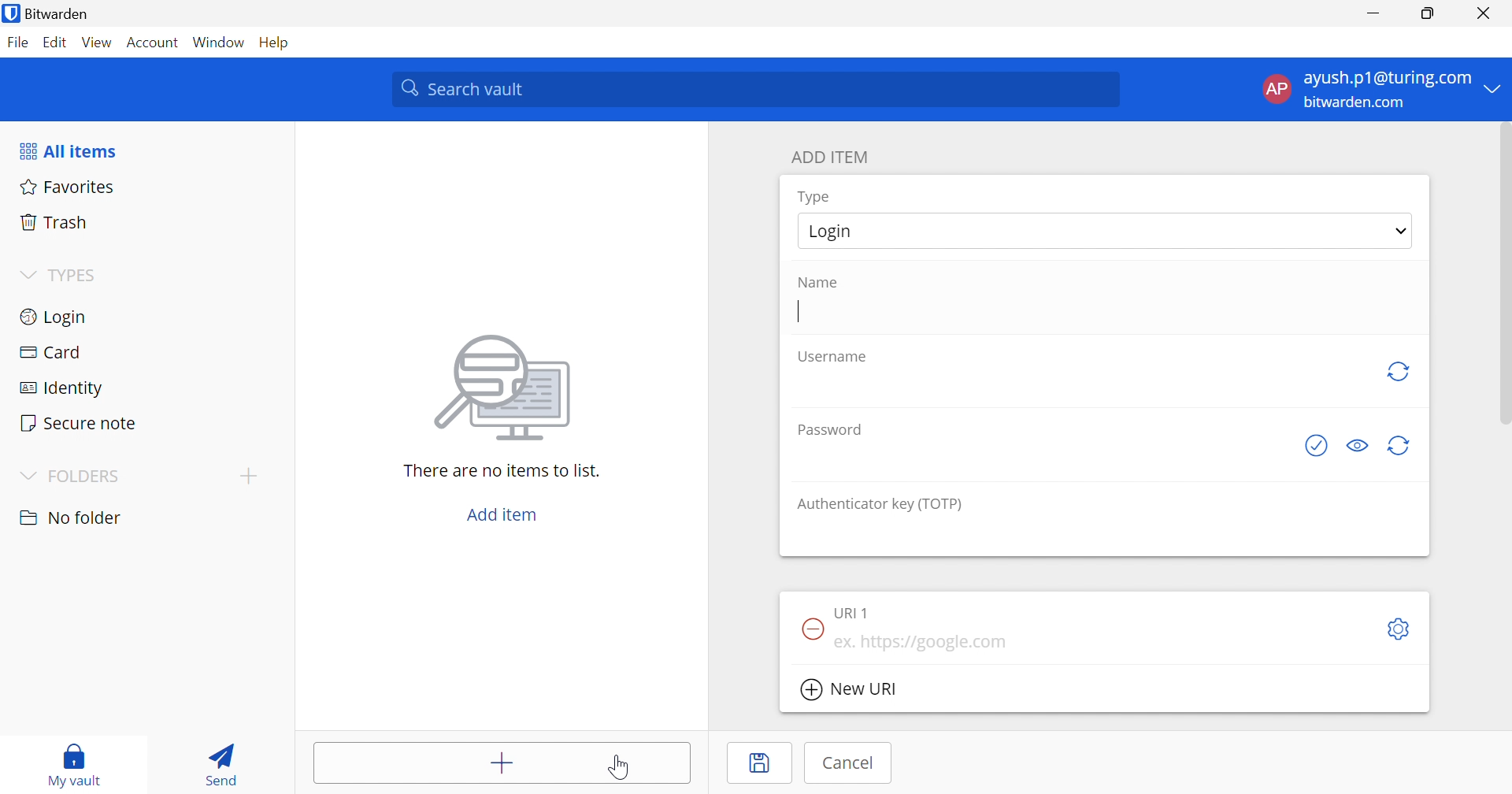  I want to click on View, so click(96, 42).